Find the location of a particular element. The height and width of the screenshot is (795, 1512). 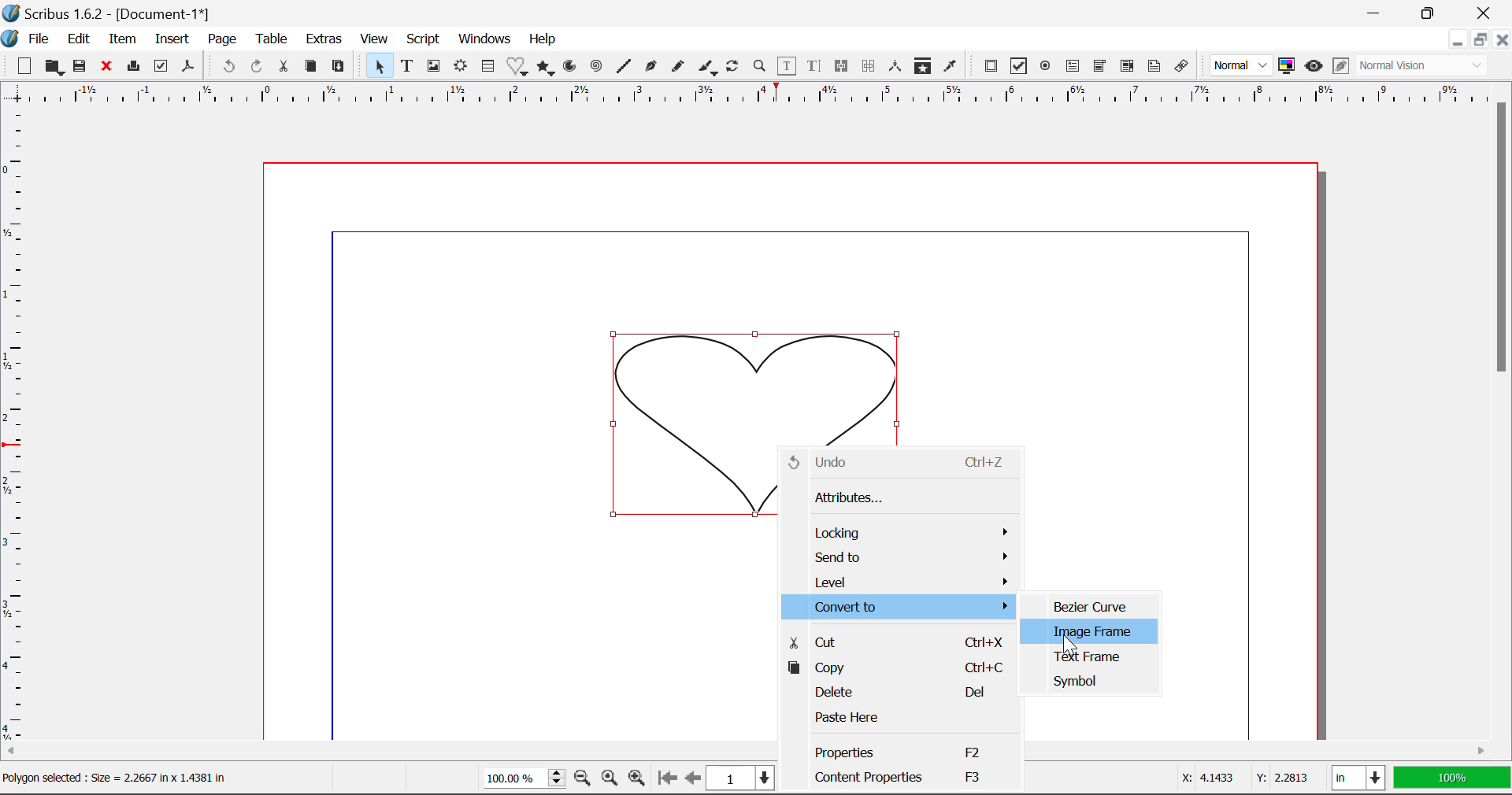

Pdf List box is located at coordinates (1128, 68).